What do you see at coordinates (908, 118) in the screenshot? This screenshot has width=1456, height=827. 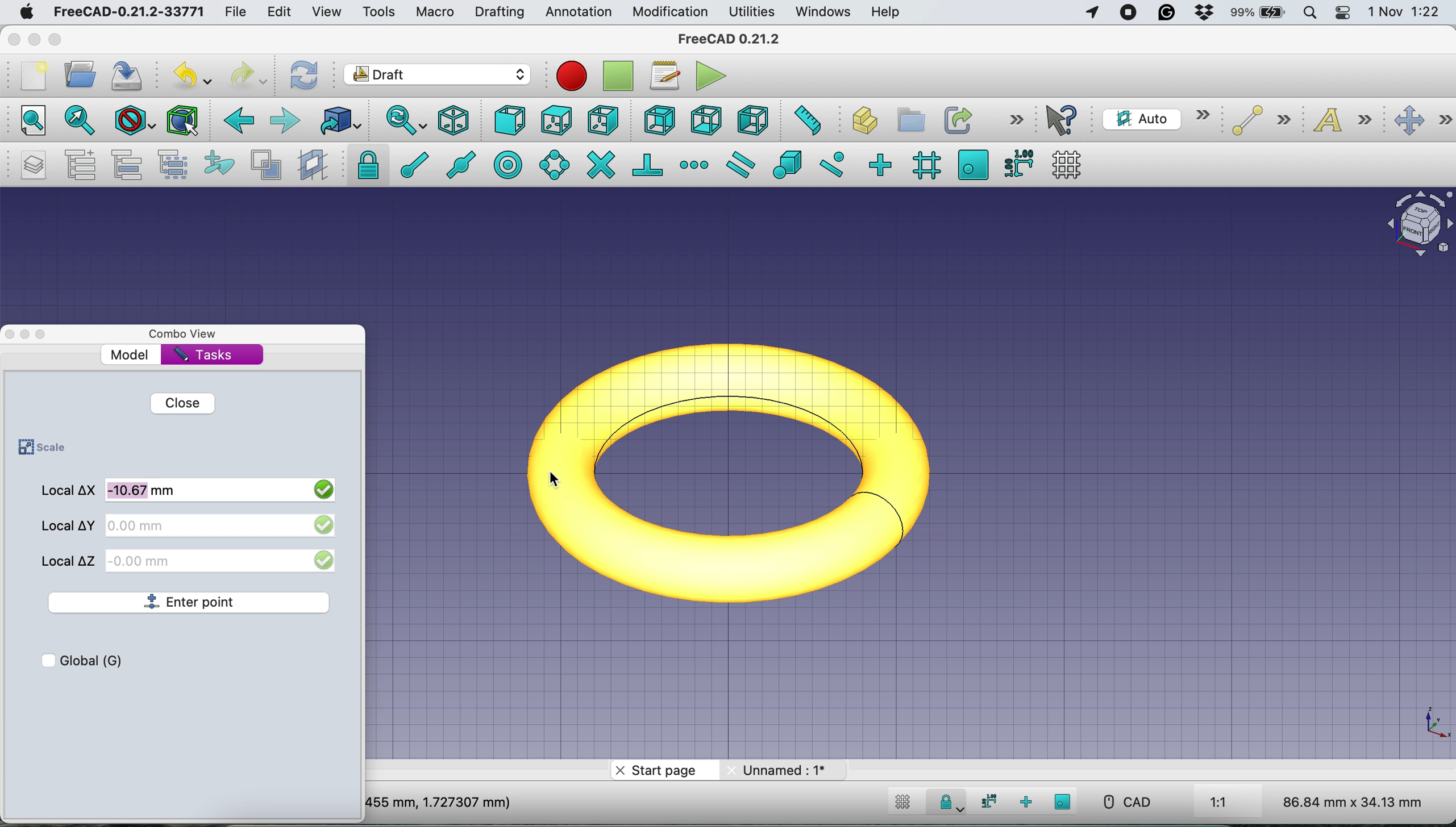 I see `create group` at bounding box center [908, 118].